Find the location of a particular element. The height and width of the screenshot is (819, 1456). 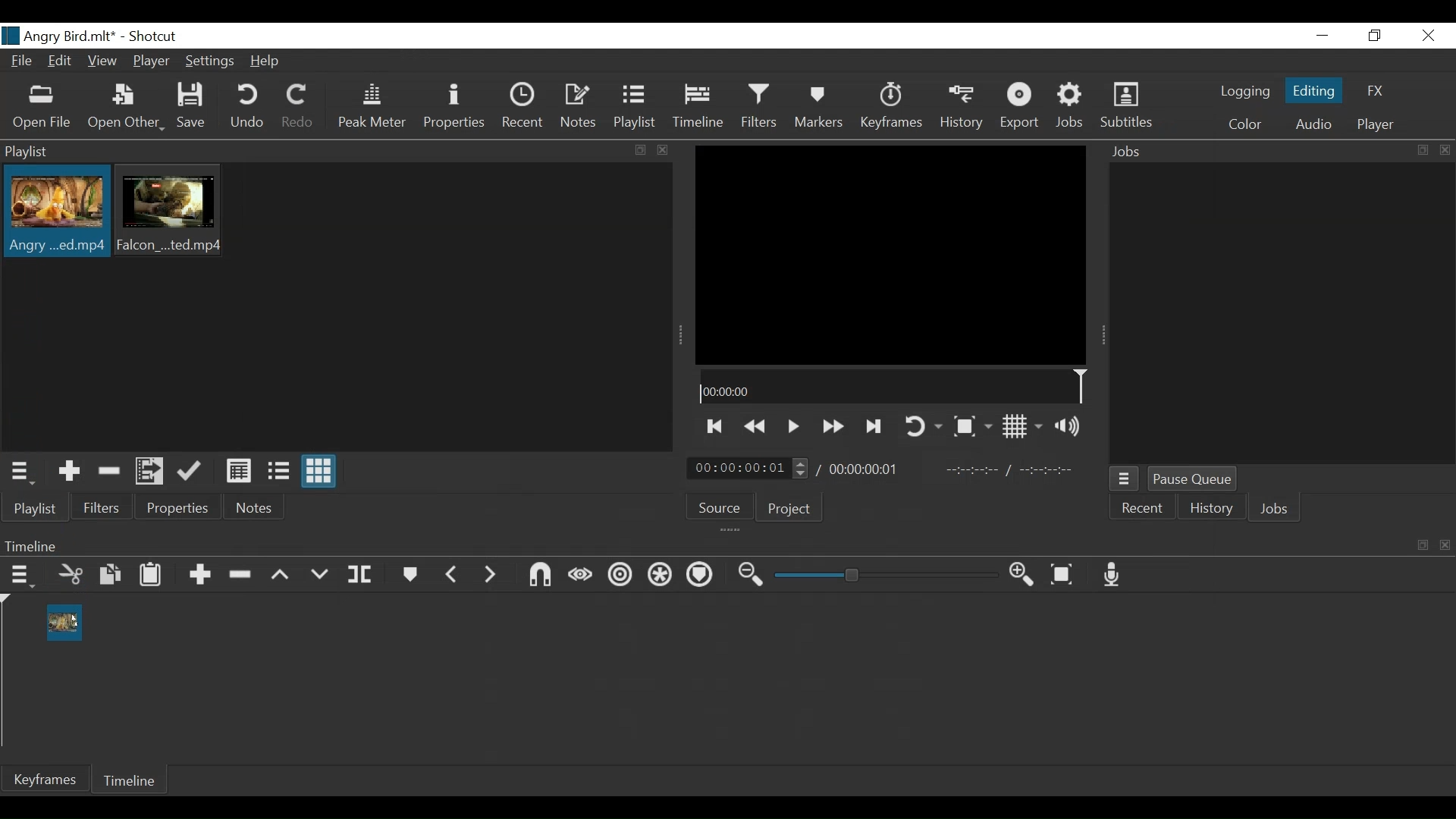

View as files is located at coordinates (280, 469).